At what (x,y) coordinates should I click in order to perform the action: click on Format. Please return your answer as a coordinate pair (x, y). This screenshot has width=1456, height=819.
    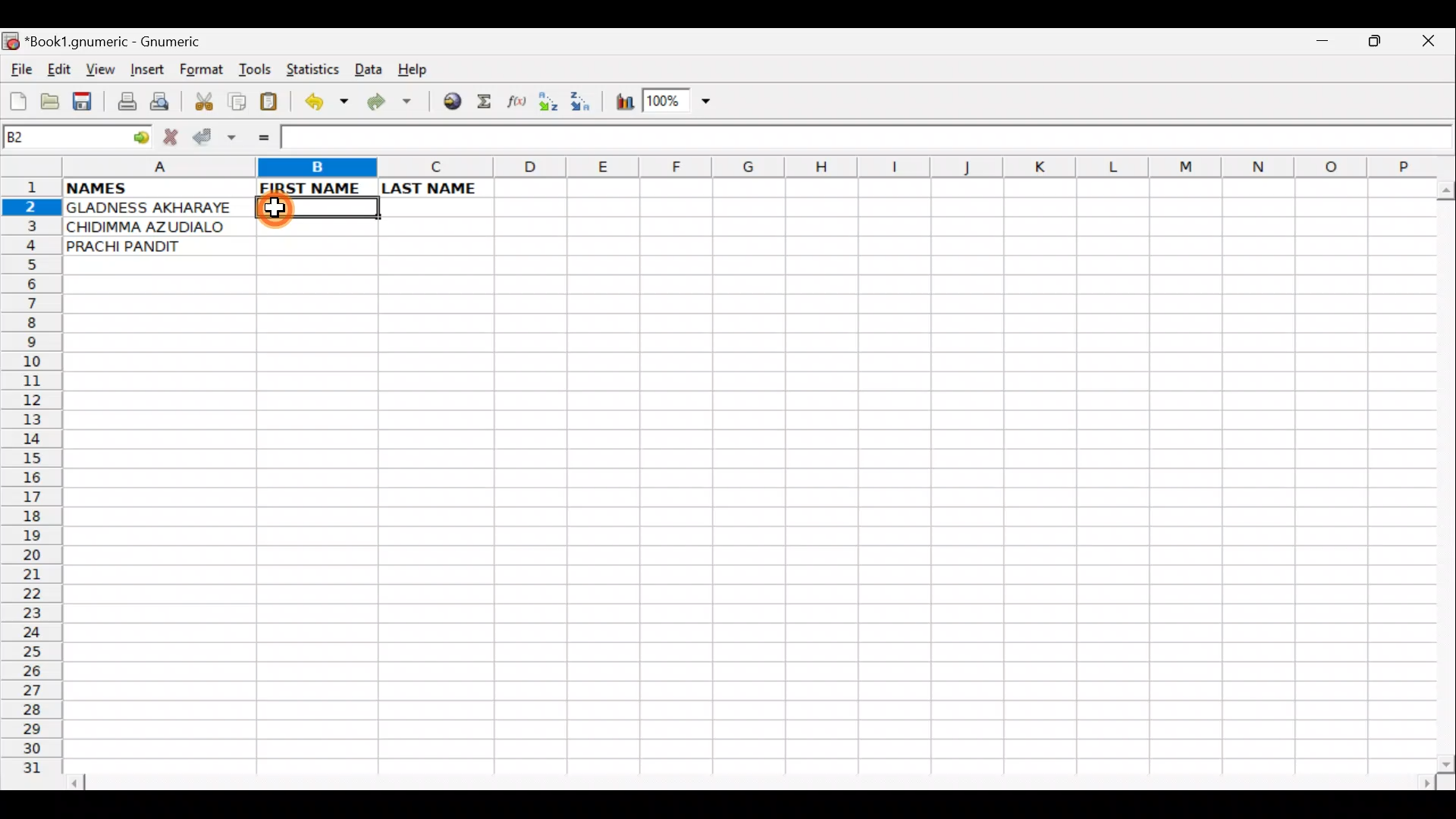
    Looking at the image, I should click on (205, 71).